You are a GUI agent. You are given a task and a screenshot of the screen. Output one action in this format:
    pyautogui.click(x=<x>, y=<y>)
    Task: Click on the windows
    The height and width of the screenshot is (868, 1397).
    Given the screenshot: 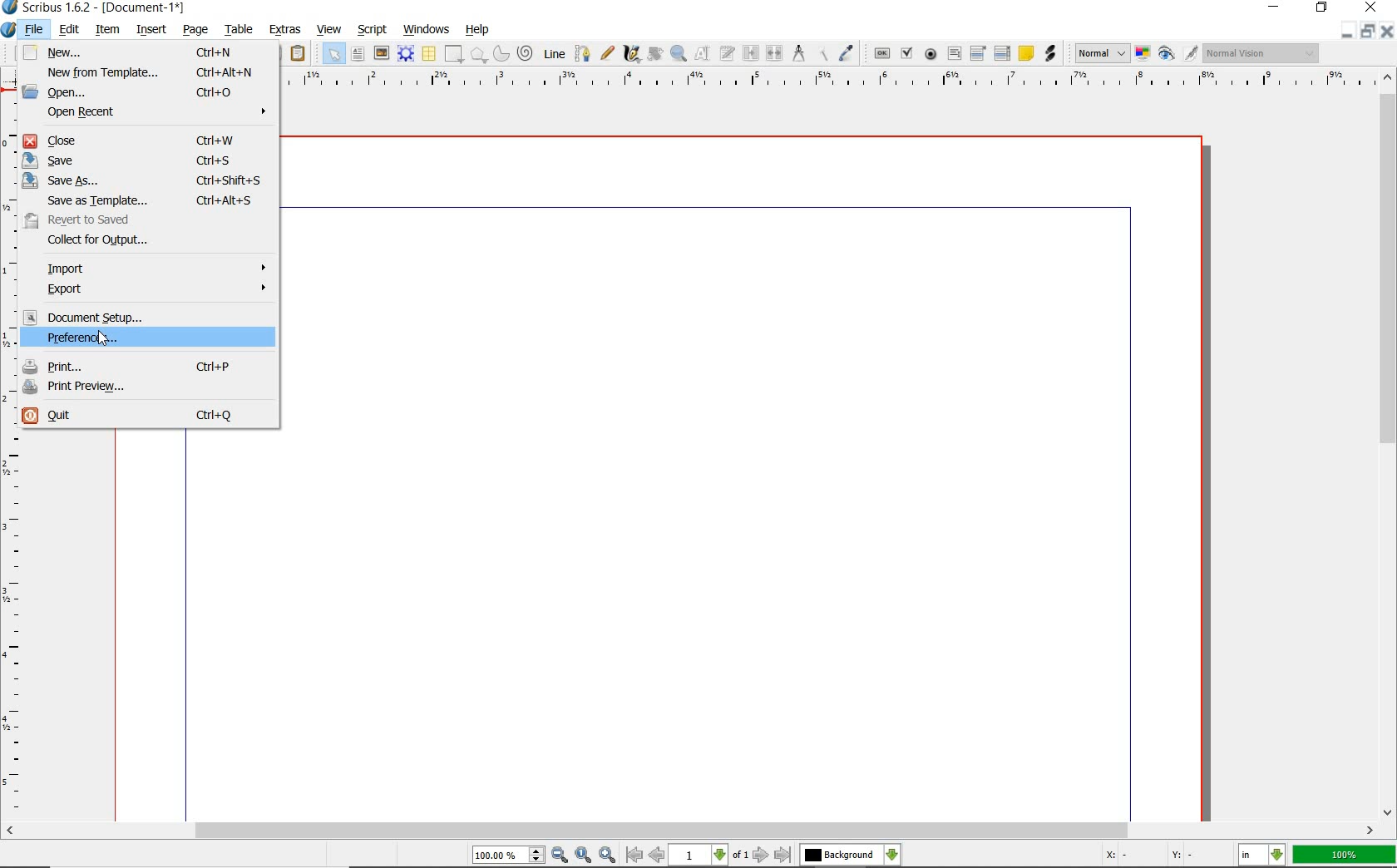 What is the action you would take?
    pyautogui.click(x=427, y=28)
    